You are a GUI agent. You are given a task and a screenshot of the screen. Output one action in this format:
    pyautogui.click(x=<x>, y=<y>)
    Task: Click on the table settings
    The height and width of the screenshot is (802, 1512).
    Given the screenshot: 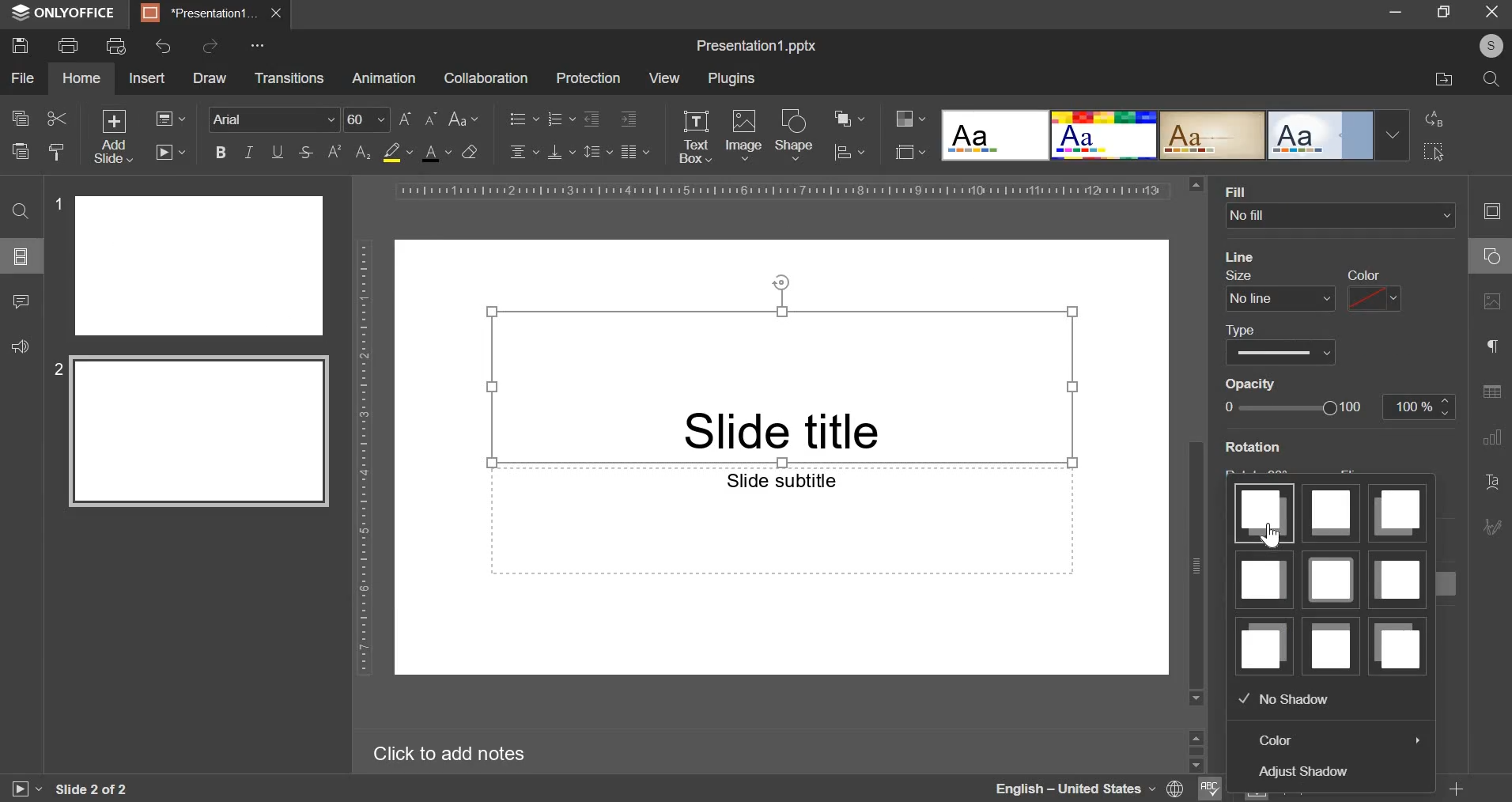 What is the action you would take?
    pyautogui.click(x=1491, y=392)
    